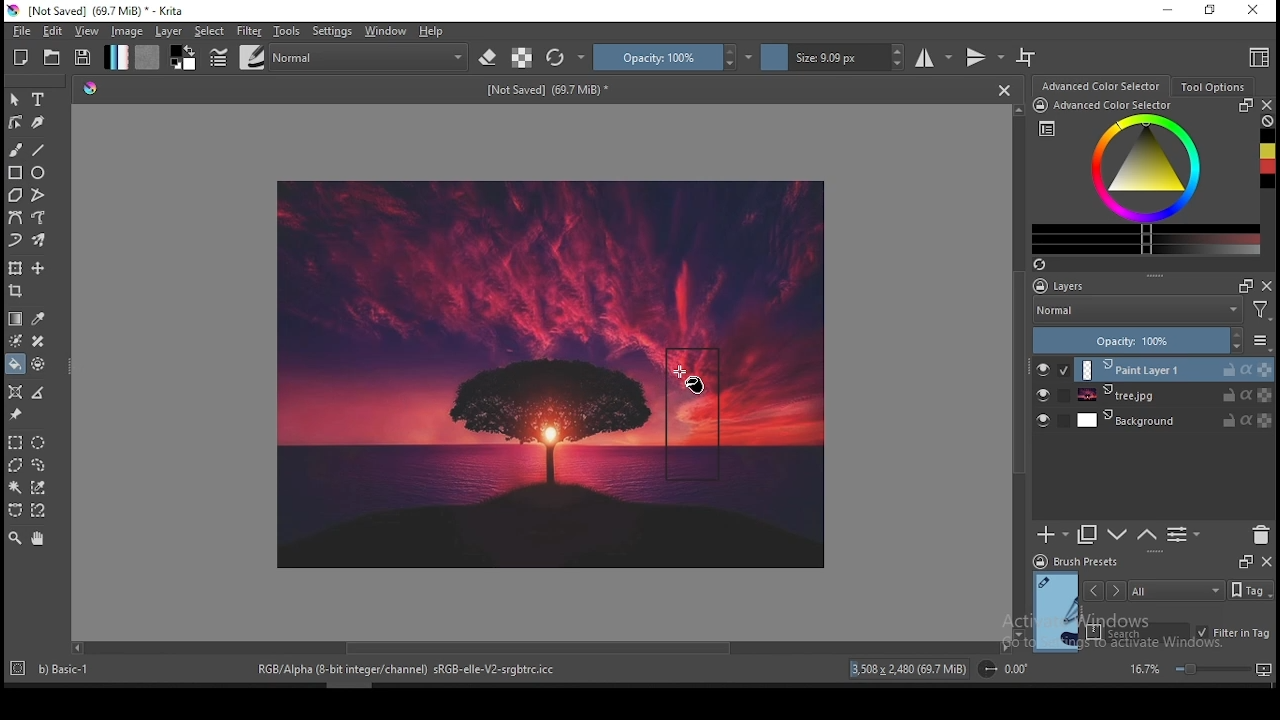  Describe the element at coordinates (1110, 285) in the screenshot. I see `layers` at that location.